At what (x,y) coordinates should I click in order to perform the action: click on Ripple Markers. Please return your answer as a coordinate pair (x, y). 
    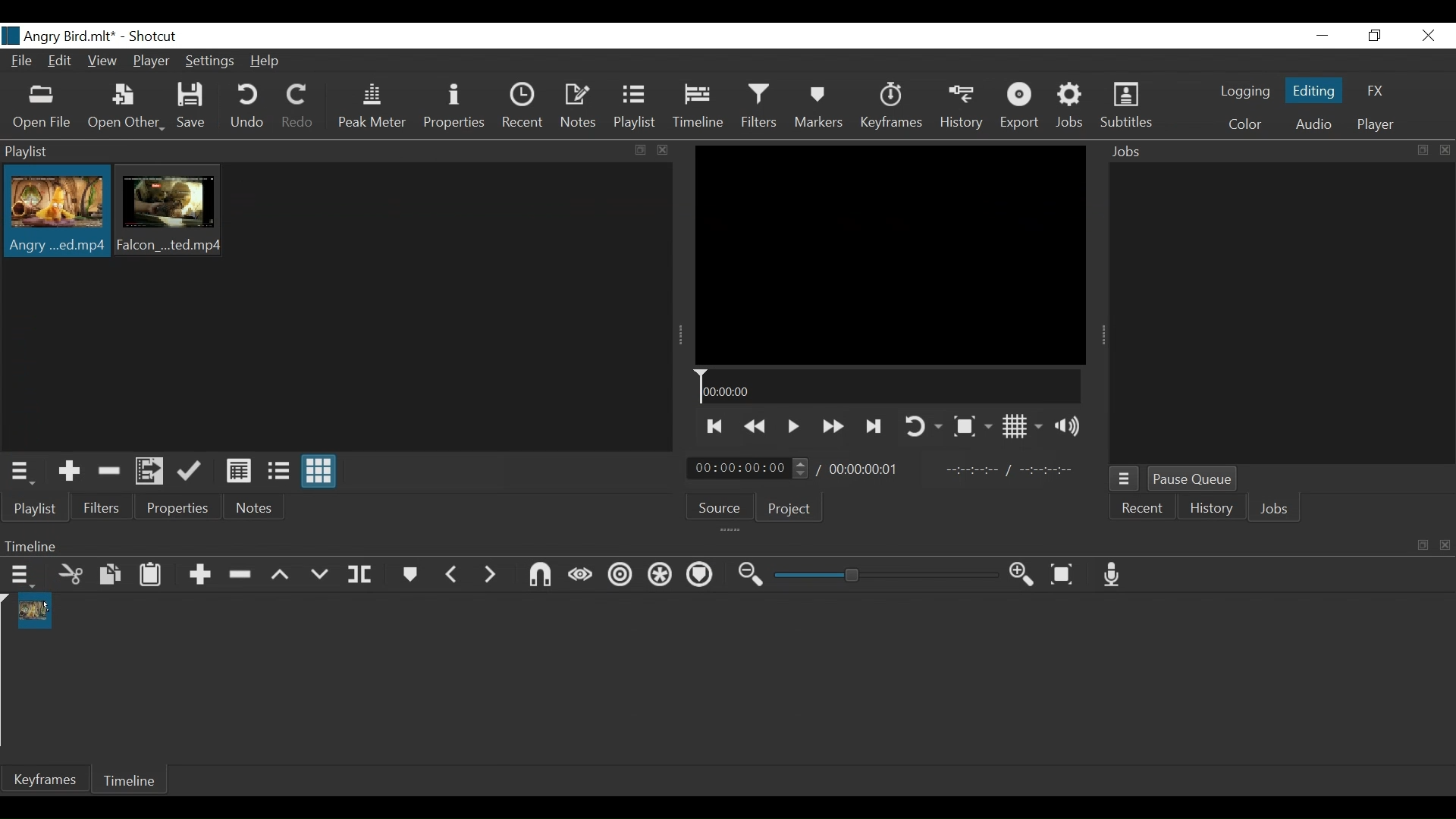
    Looking at the image, I should click on (702, 578).